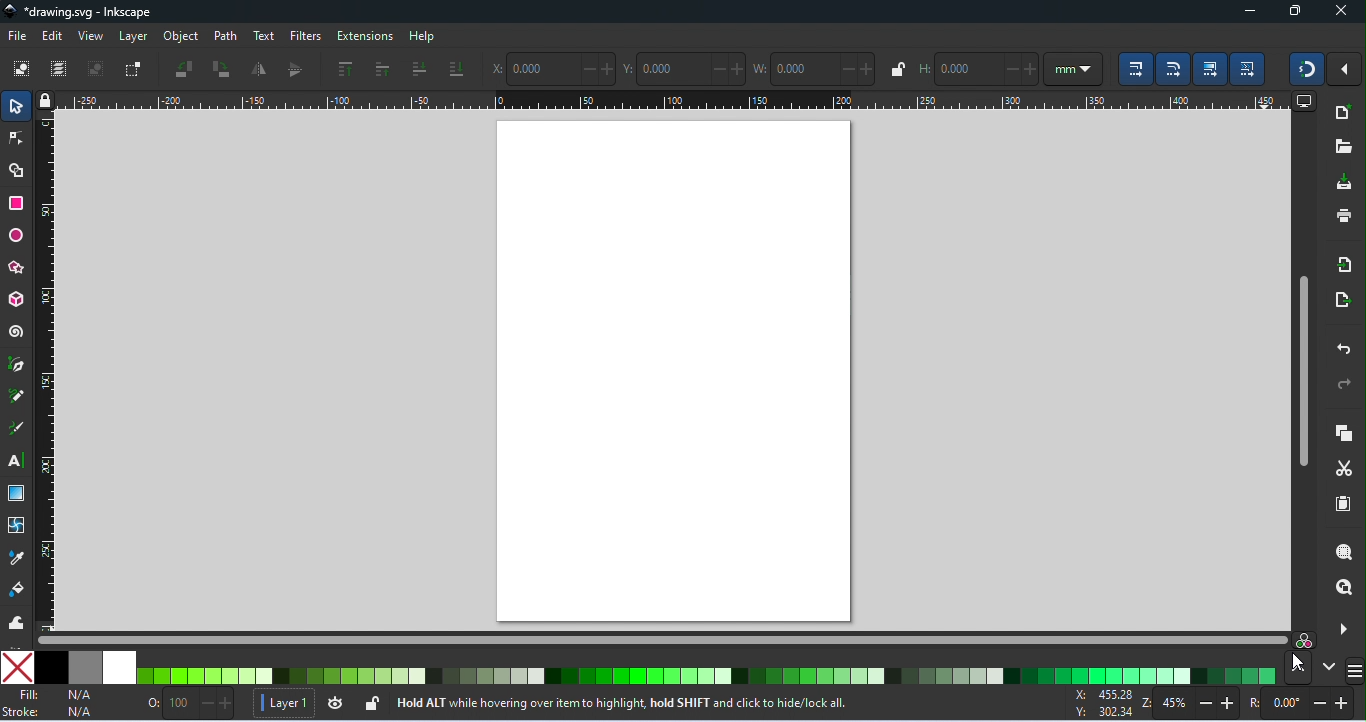  What do you see at coordinates (18, 299) in the screenshot?
I see `3D box` at bounding box center [18, 299].